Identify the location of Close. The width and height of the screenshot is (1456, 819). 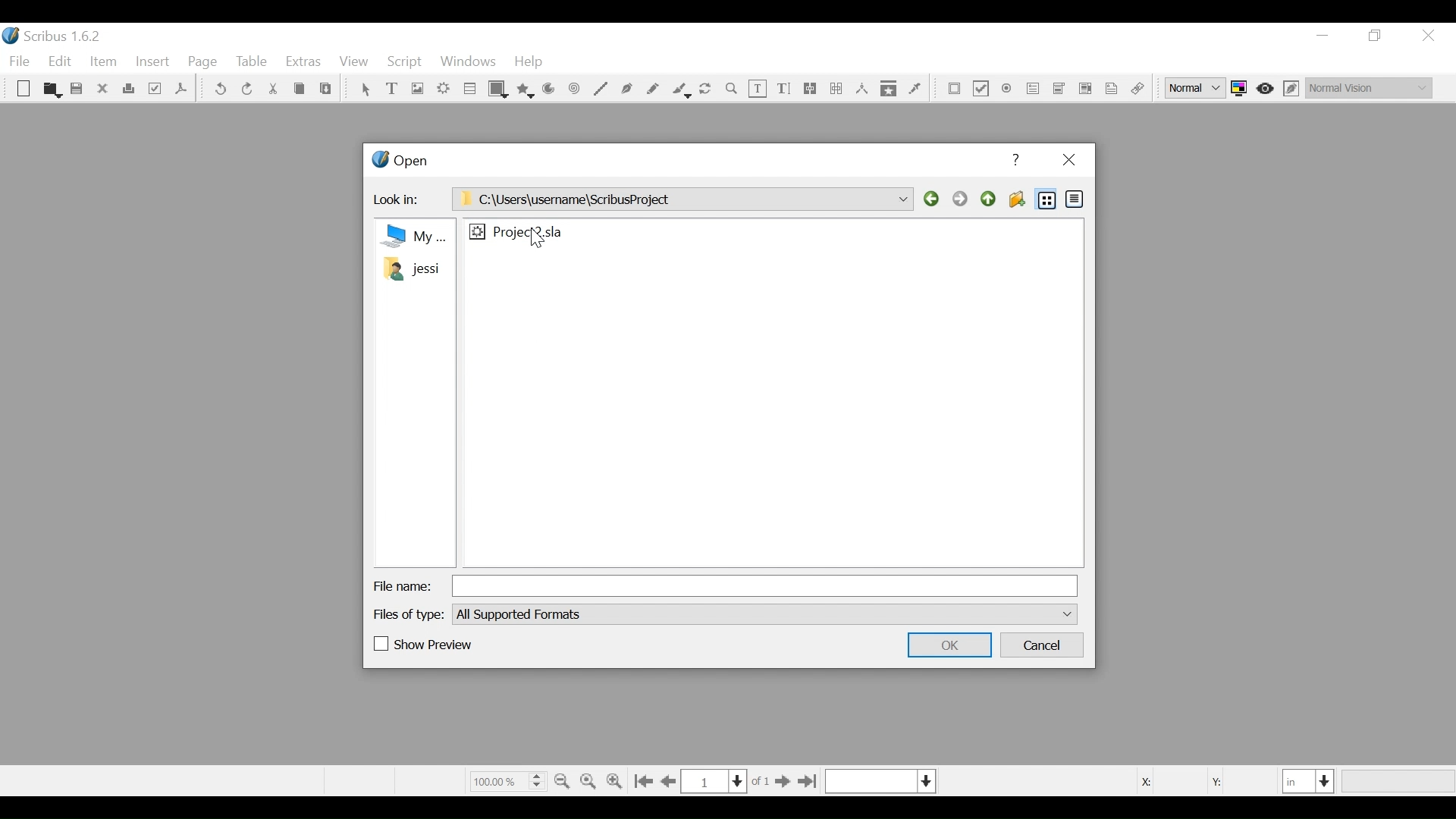
(104, 89).